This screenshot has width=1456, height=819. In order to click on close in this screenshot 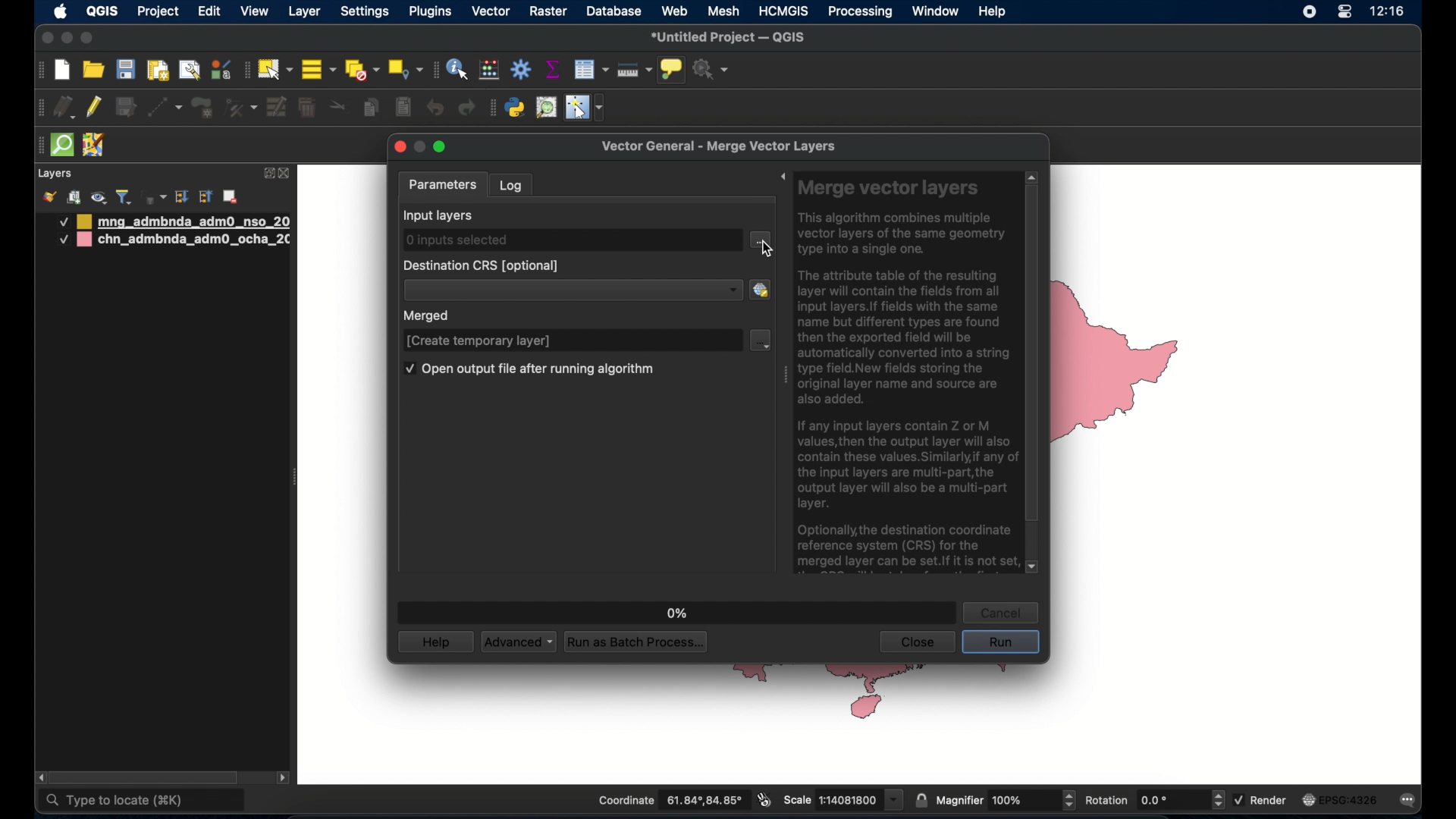, I will do `click(916, 642)`.